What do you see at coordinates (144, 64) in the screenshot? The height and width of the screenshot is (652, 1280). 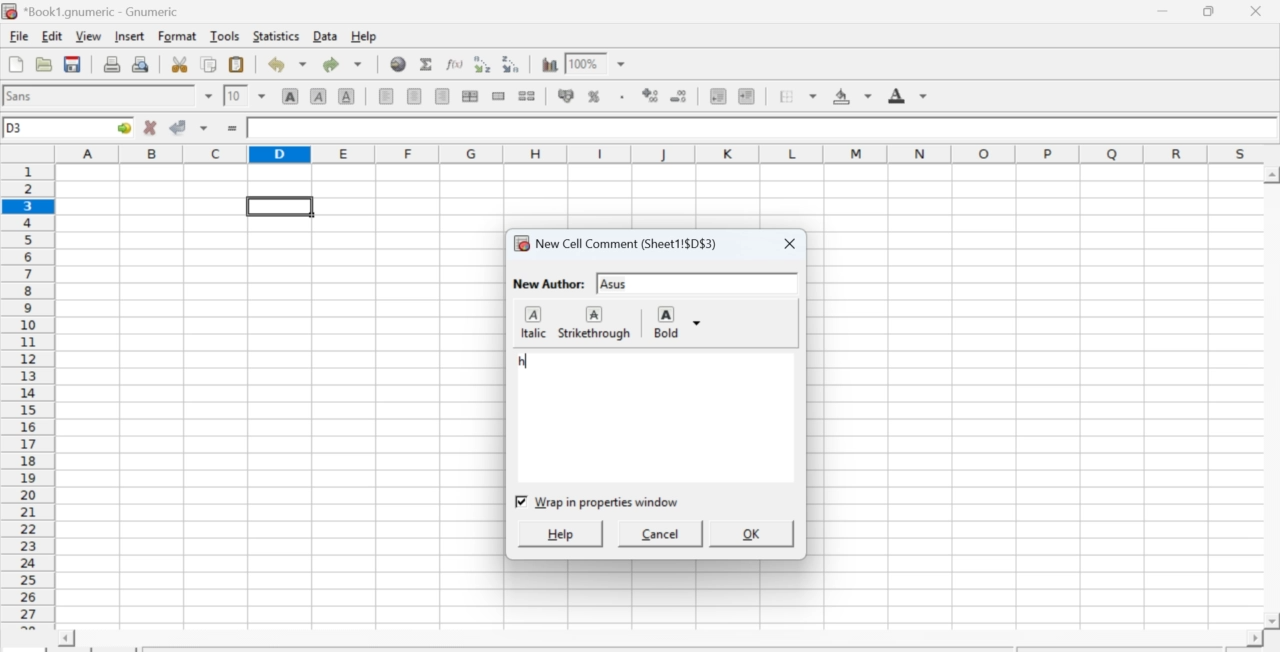 I see `Print preview` at bounding box center [144, 64].